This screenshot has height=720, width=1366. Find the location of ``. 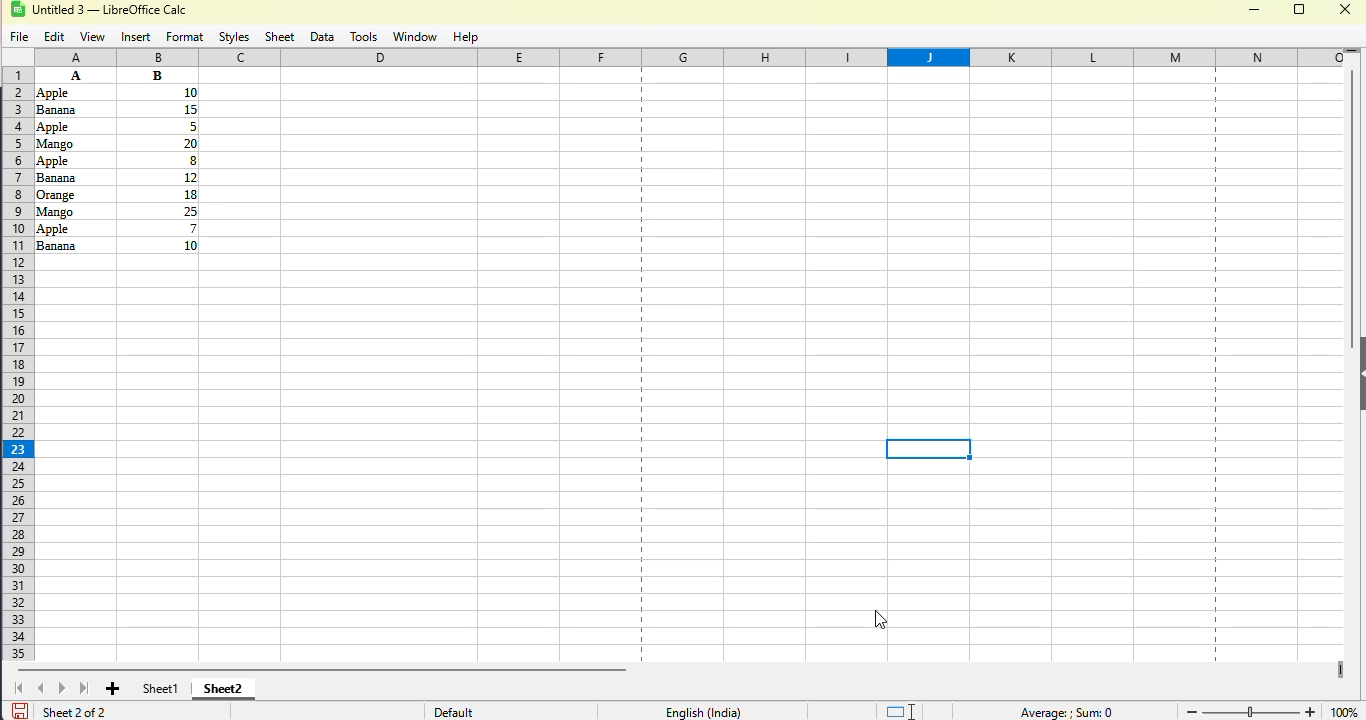

 is located at coordinates (158, 92).